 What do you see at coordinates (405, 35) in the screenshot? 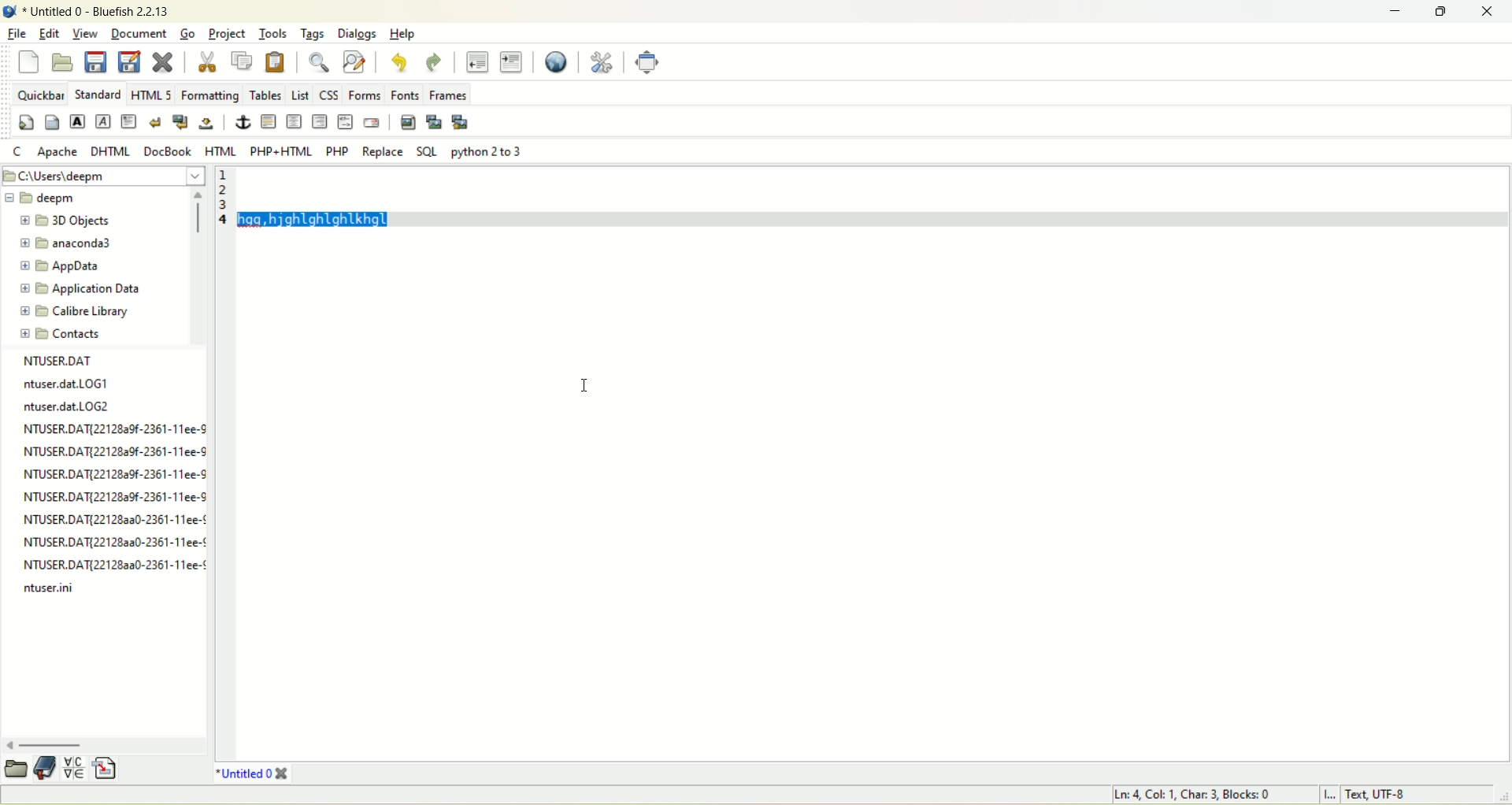
I see `help` at bounding box center [405, 35].